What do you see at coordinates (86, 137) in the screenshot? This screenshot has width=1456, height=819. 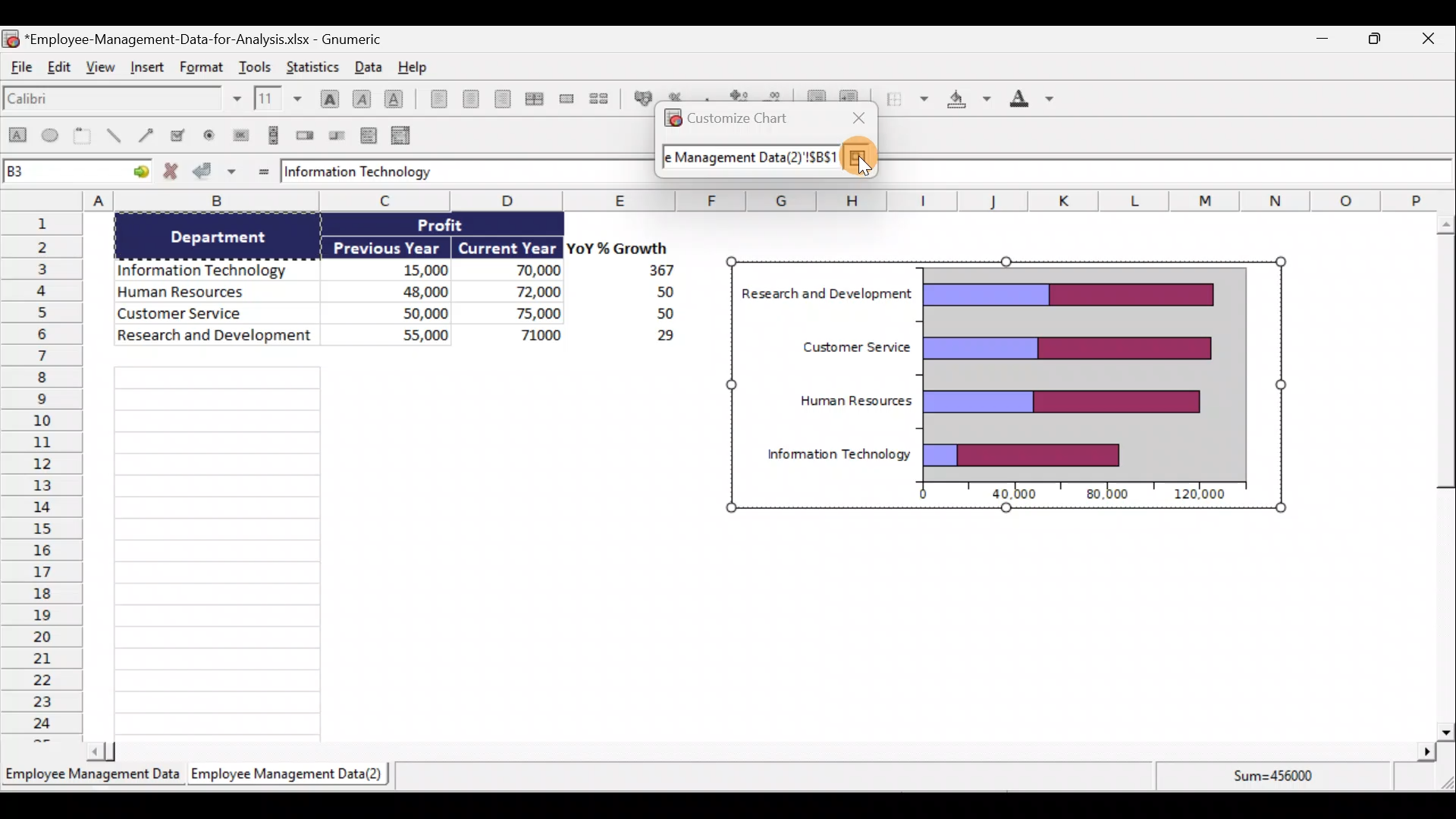 I see `Create a frame` at bounding box center [86, 137].